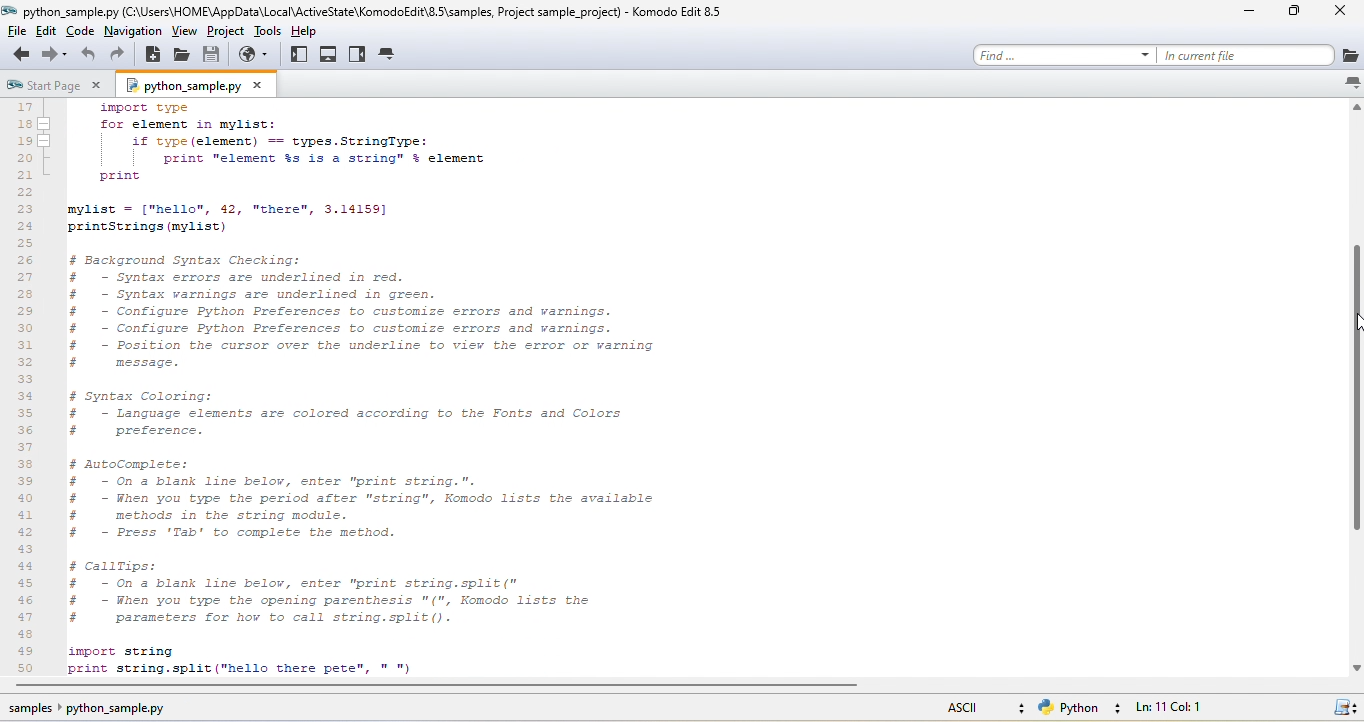 This screenshot has height=722, width=1364. What do you see at coordinates (1301, 14) in the screenshot?
I see `maximize` at bounding box center [1301, 14].